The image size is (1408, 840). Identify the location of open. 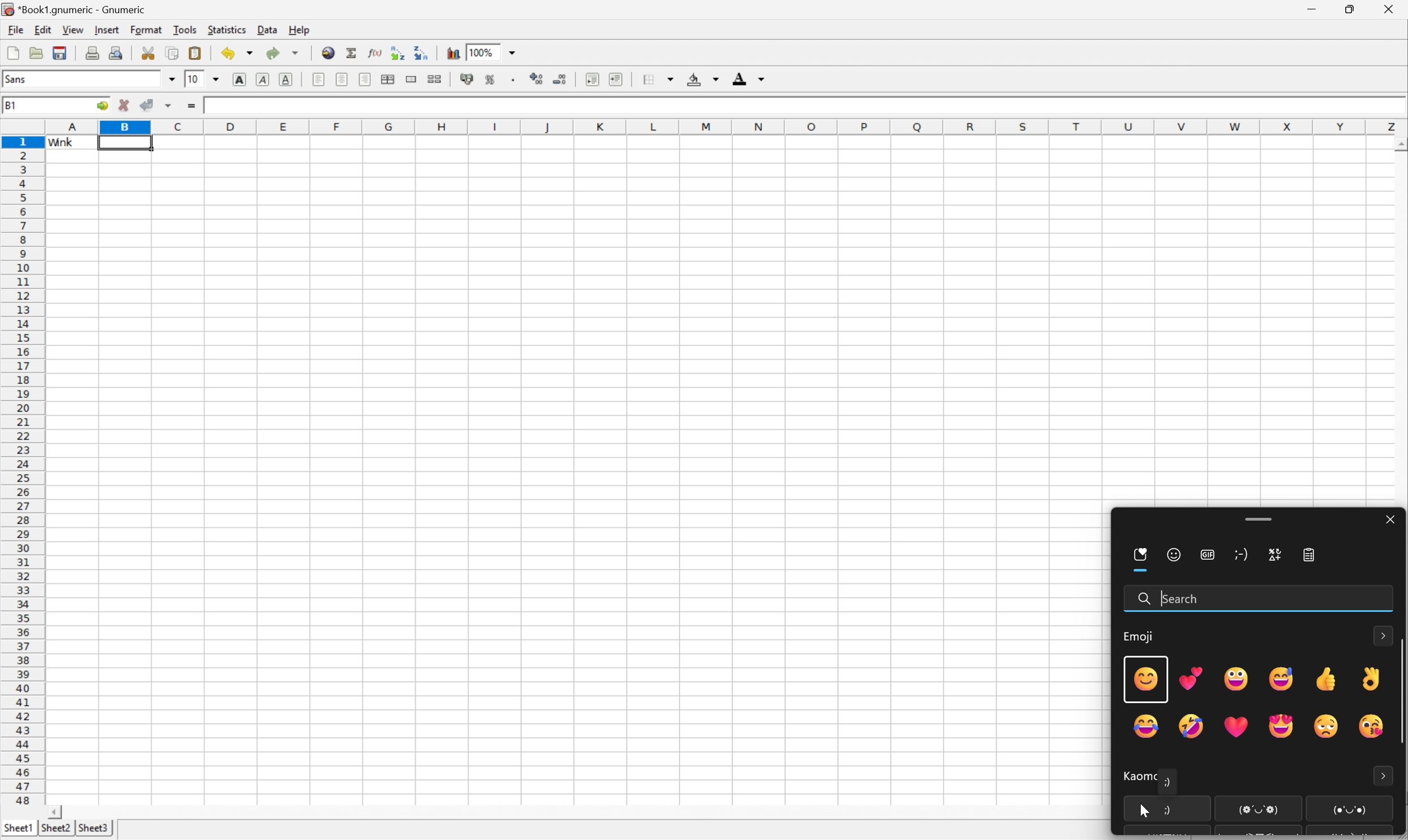
(36, 53).